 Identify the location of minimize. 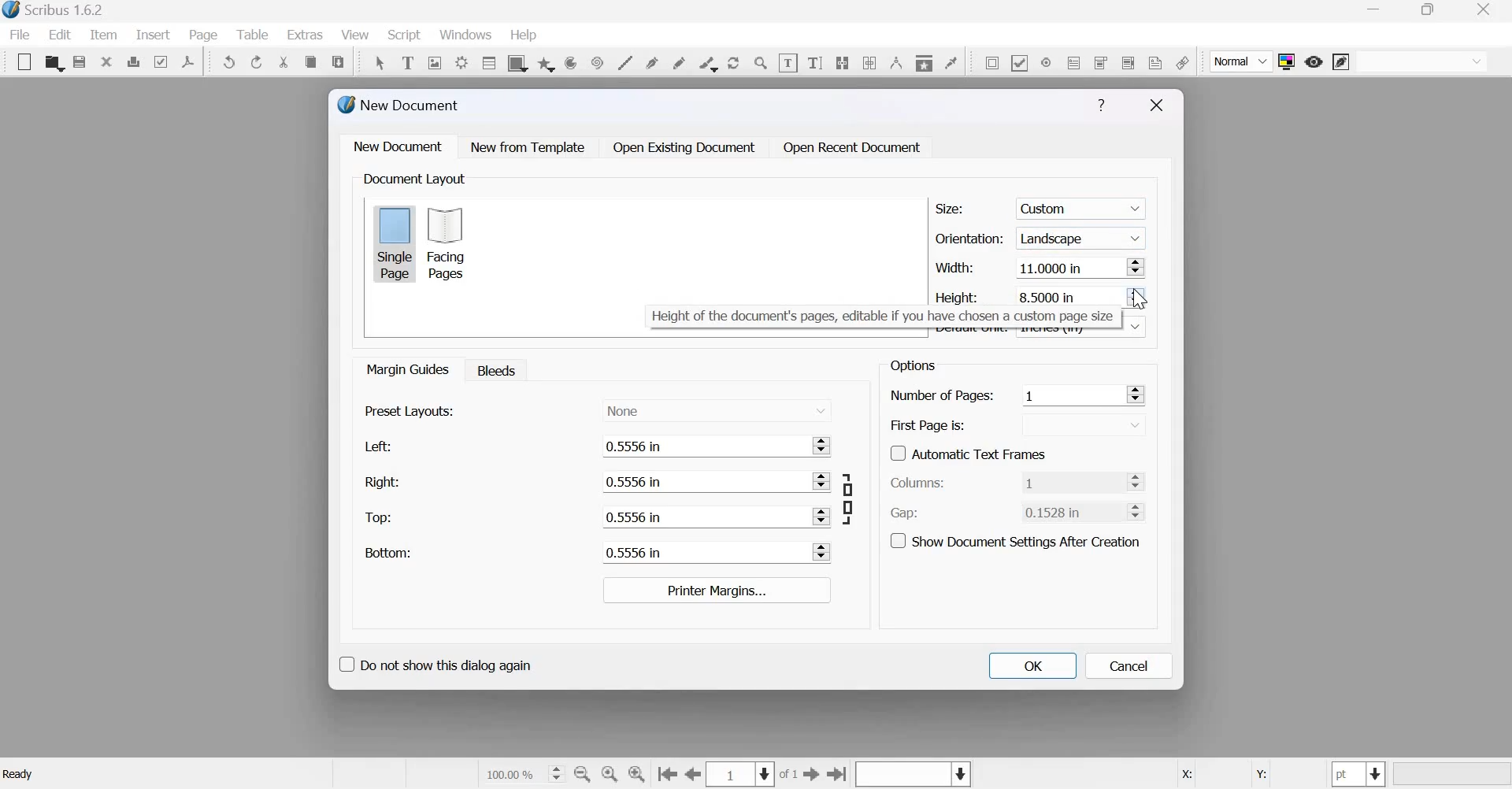
(1376, 11).